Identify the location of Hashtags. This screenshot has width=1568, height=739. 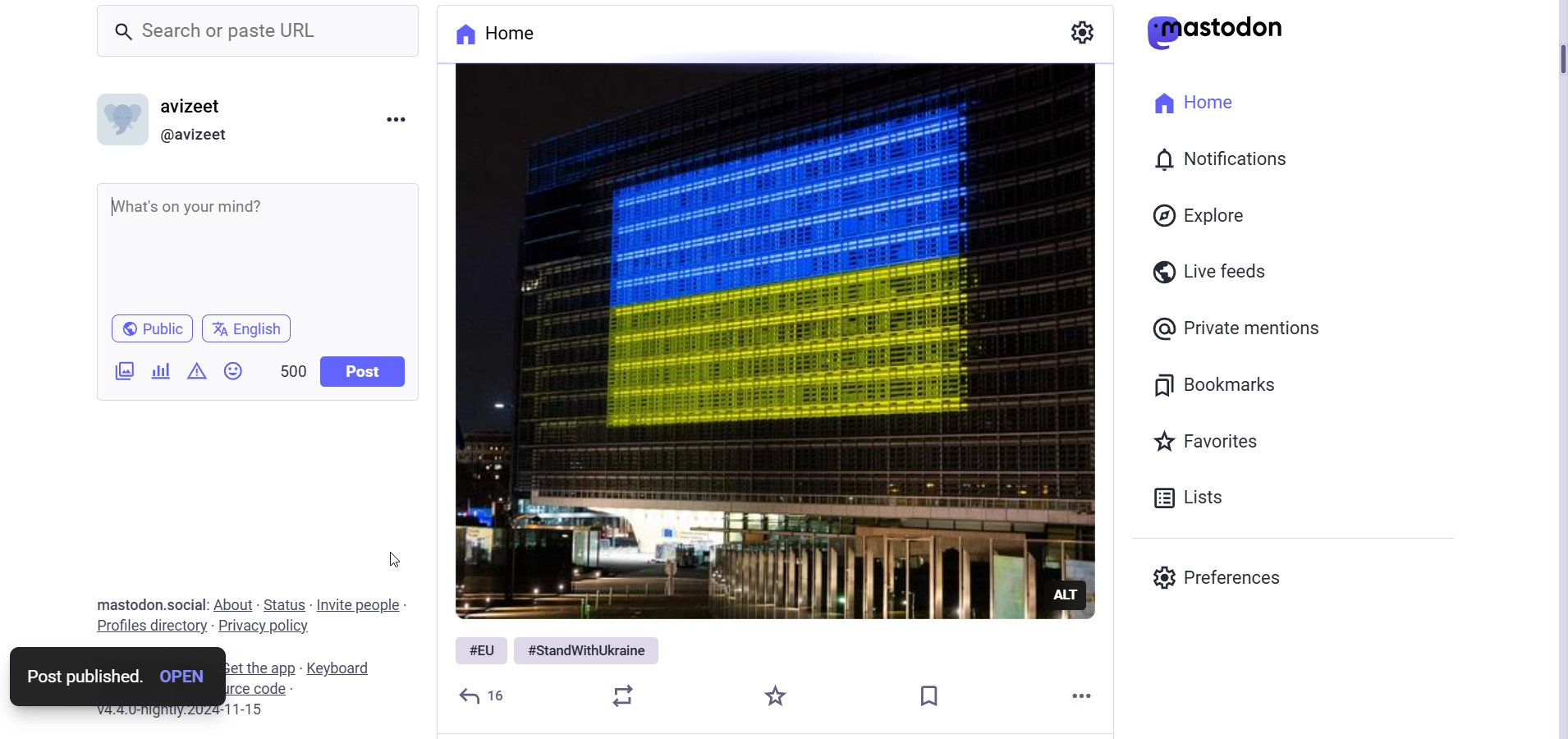
(559, 649).